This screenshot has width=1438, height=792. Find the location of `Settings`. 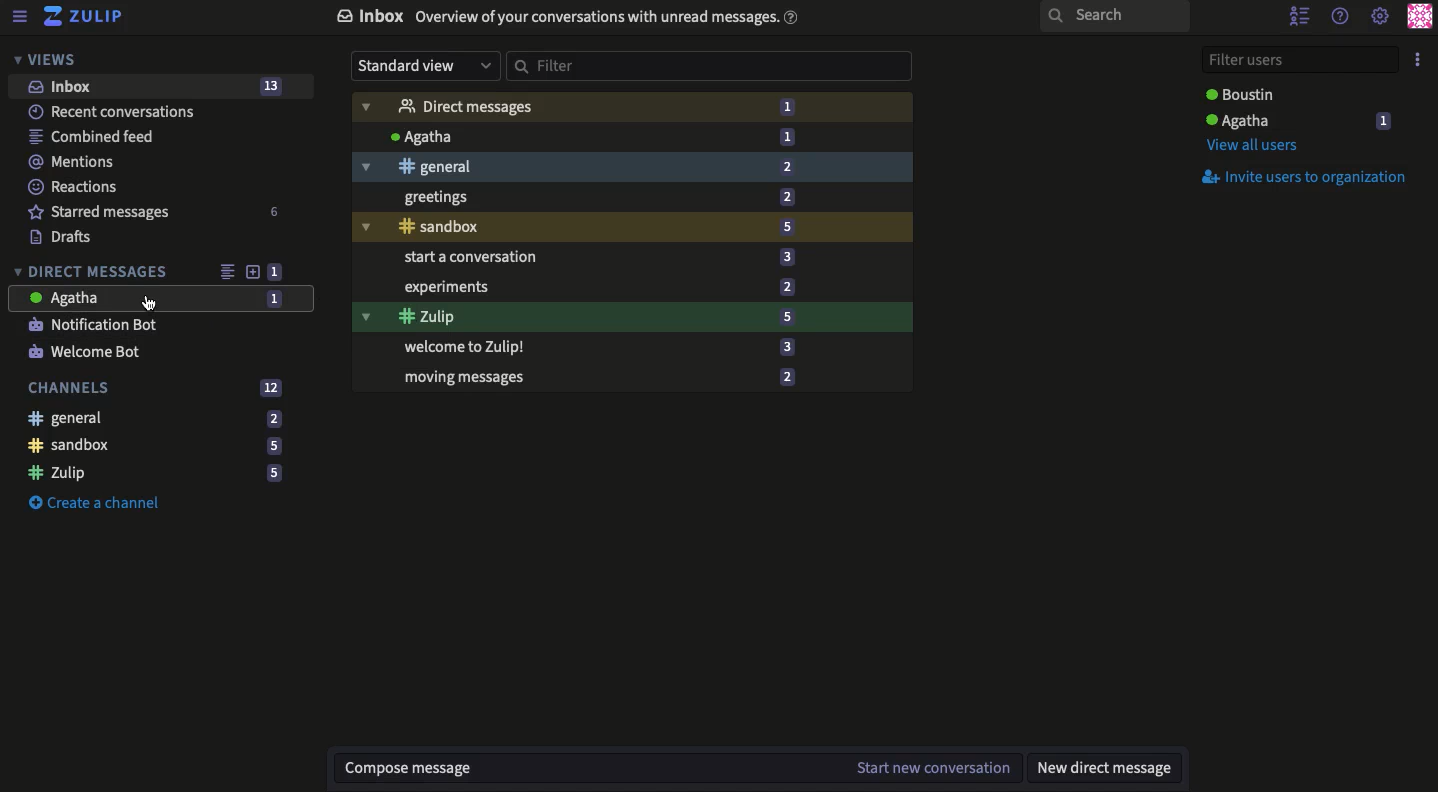

Settings is located at coordinates (1380, 18).